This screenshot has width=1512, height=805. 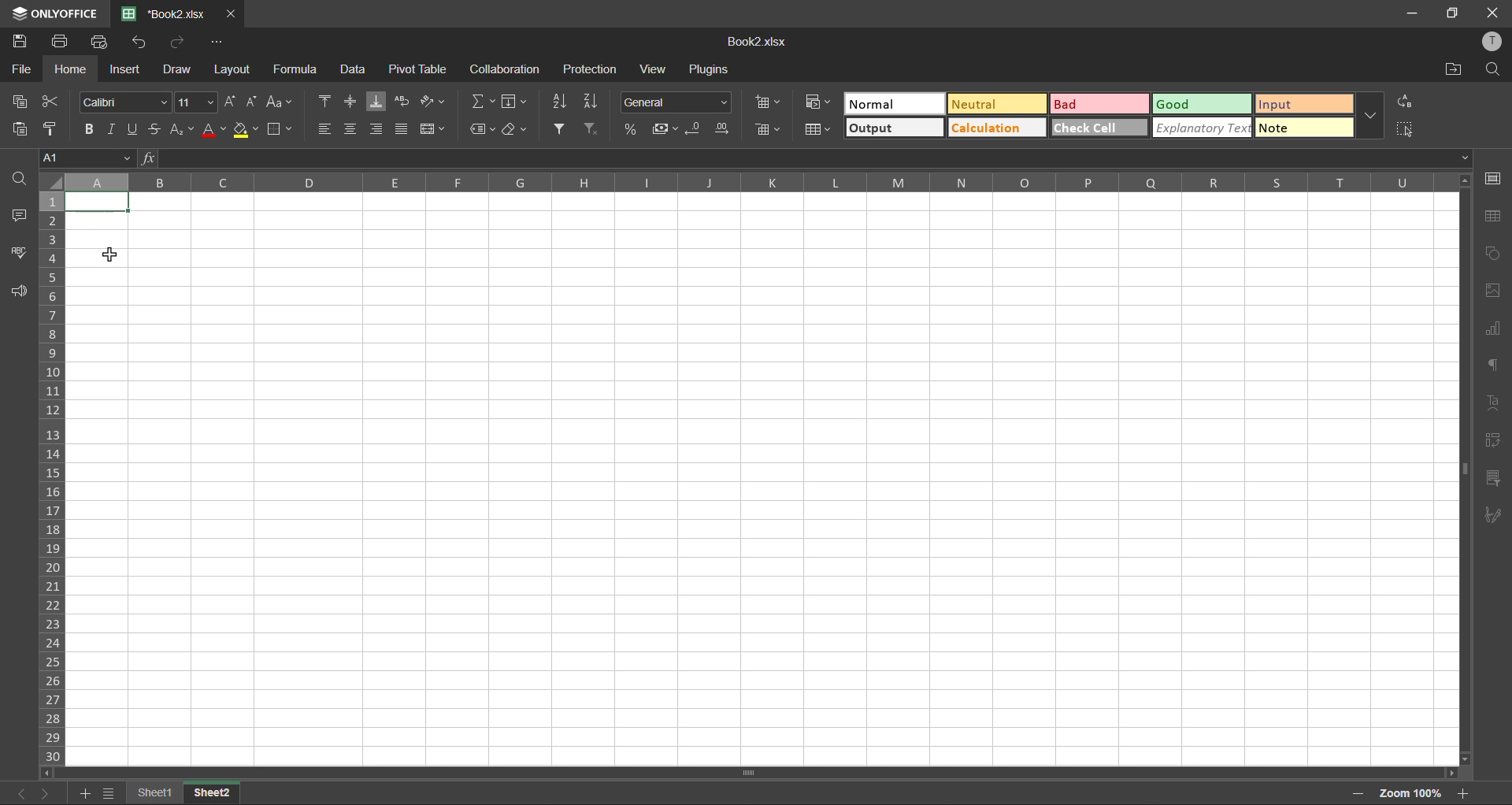 I want to click on view, so click(x=654, y=69).